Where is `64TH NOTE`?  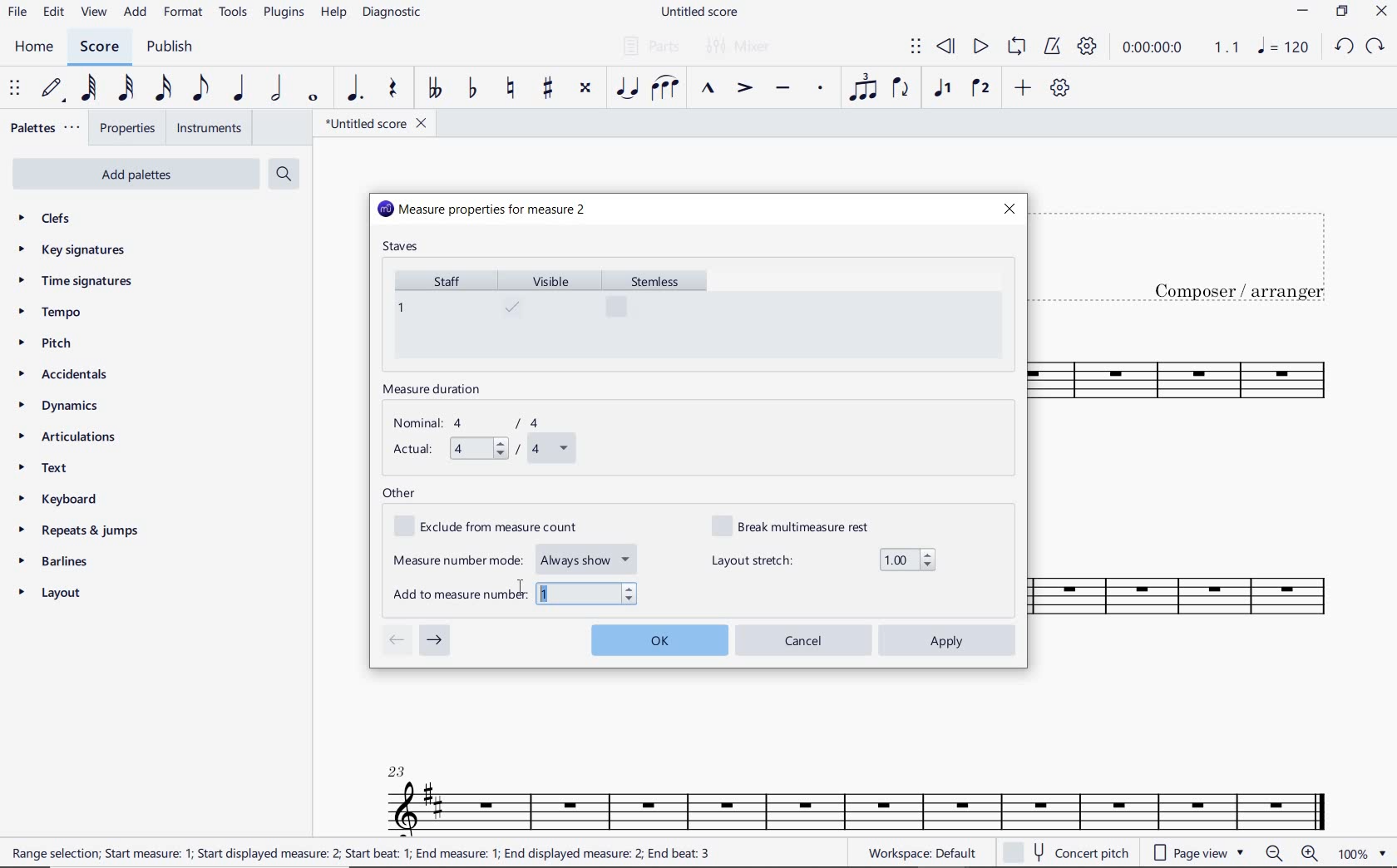 64TH NOTE is located at coordinates (91, 89).